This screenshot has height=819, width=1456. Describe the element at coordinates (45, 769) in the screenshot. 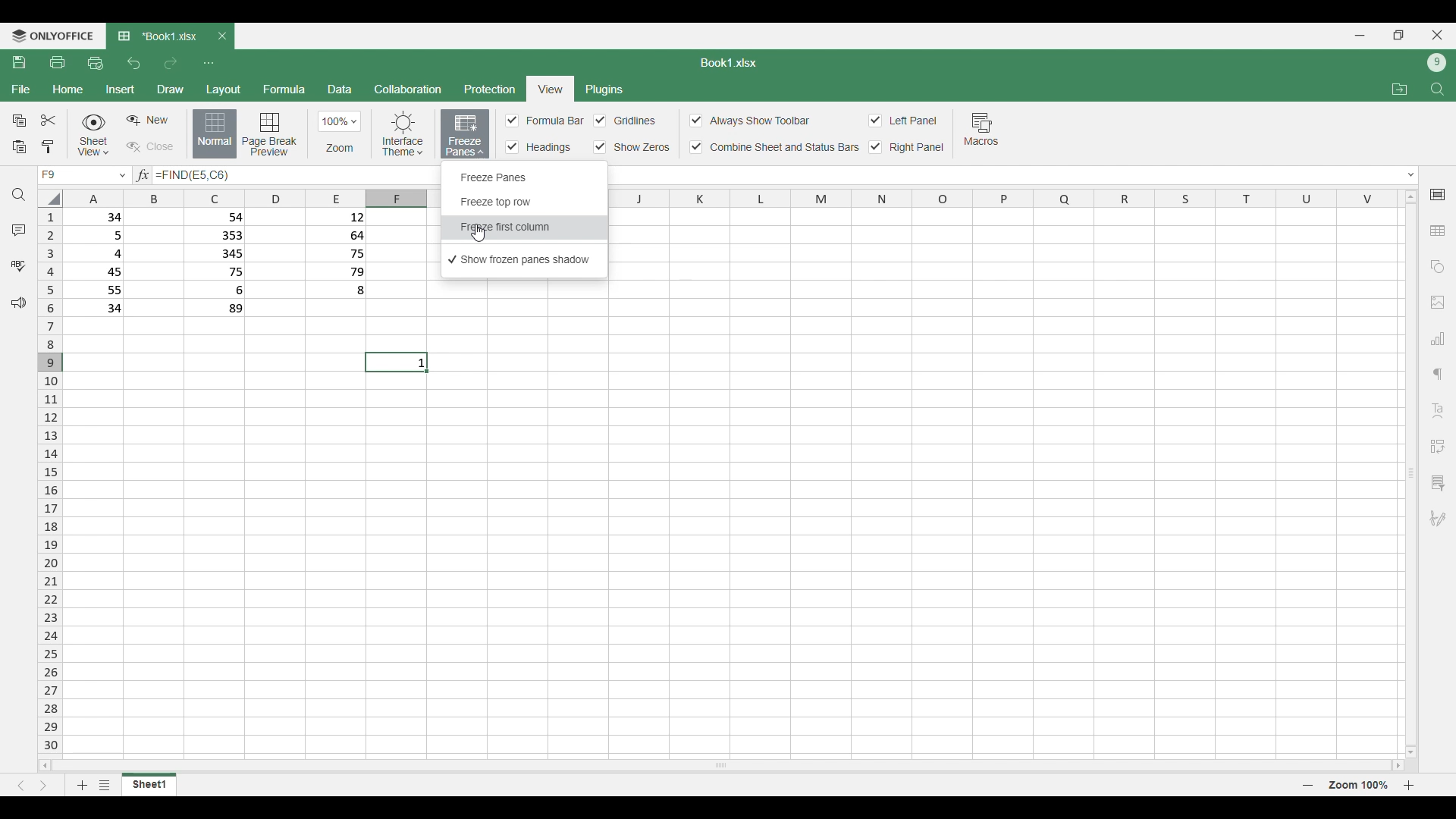

I see `move left ` at that location.